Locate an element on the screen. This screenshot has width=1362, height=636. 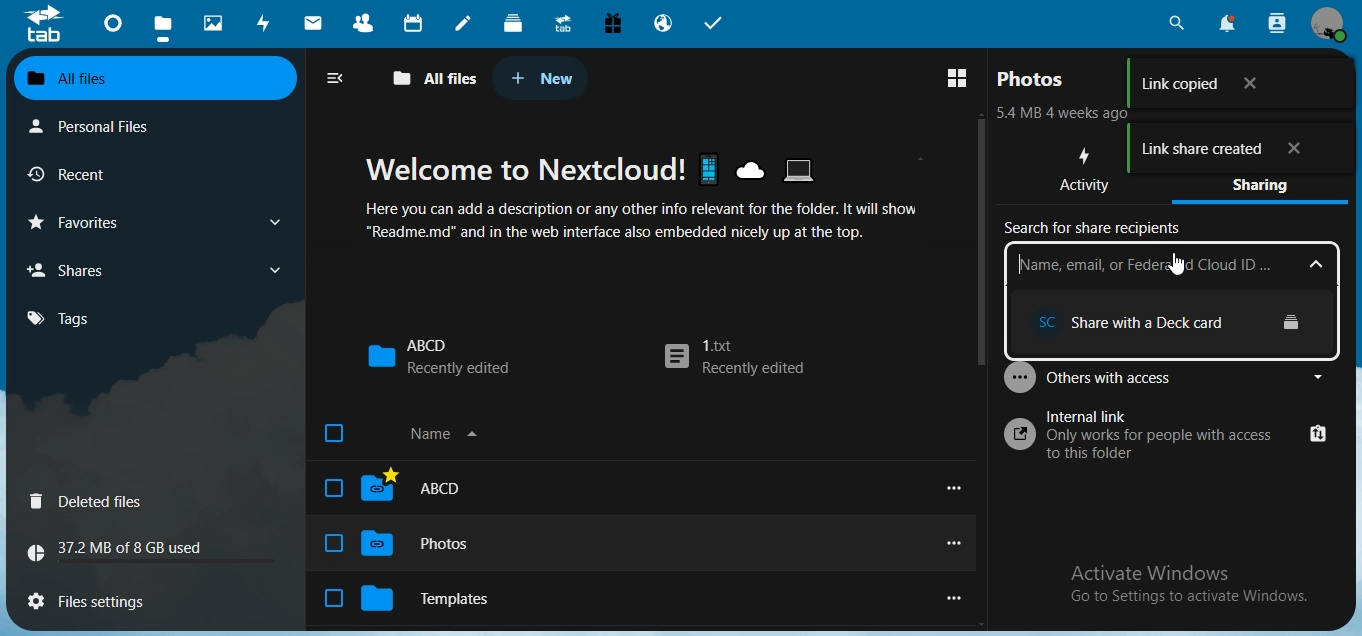
favorites is located at coordinates (152, 222).